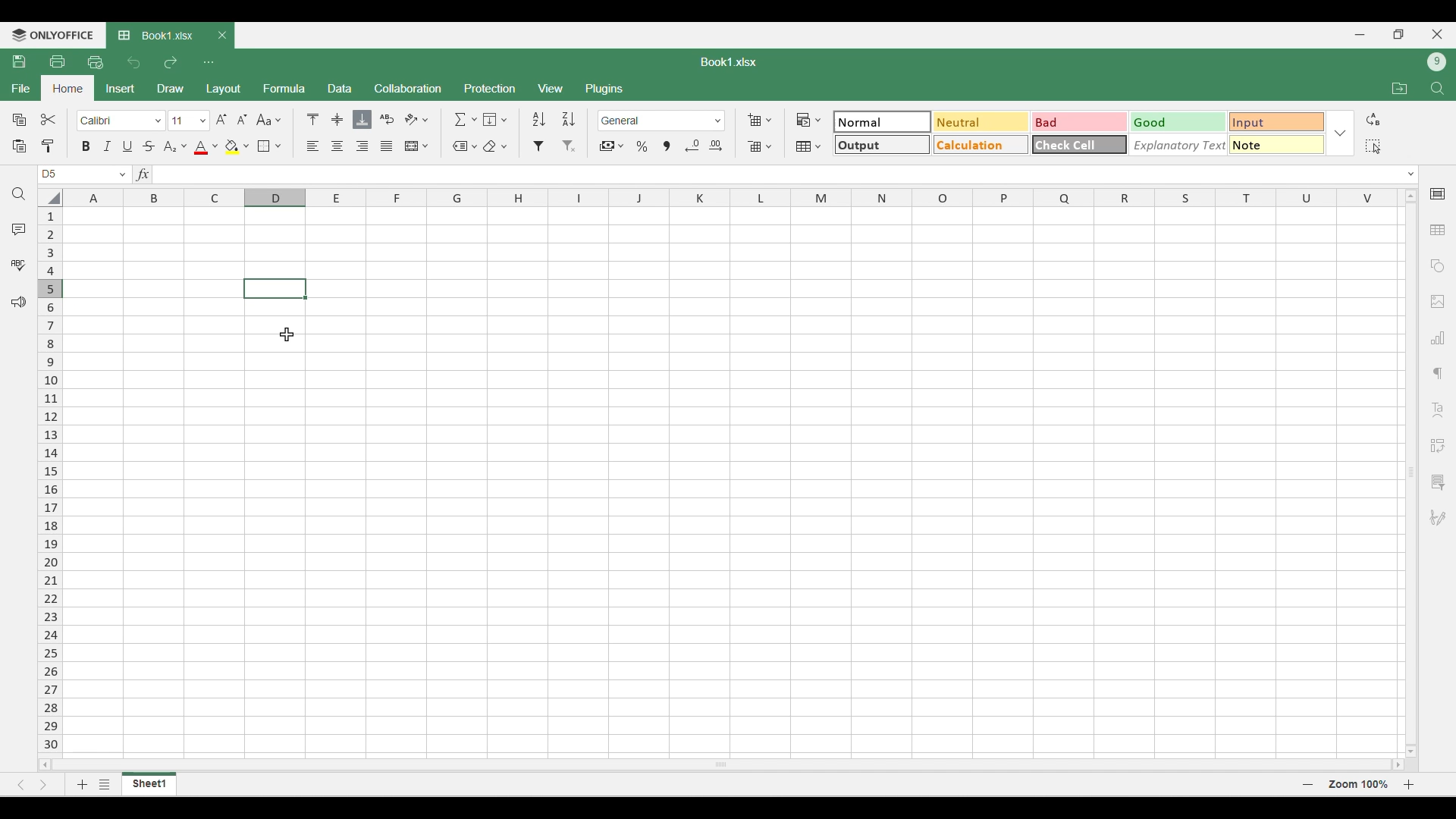  What do you see at coordinates (293, 335) in the screenshot?
I see `cursor` at bounding box center [293, 335].